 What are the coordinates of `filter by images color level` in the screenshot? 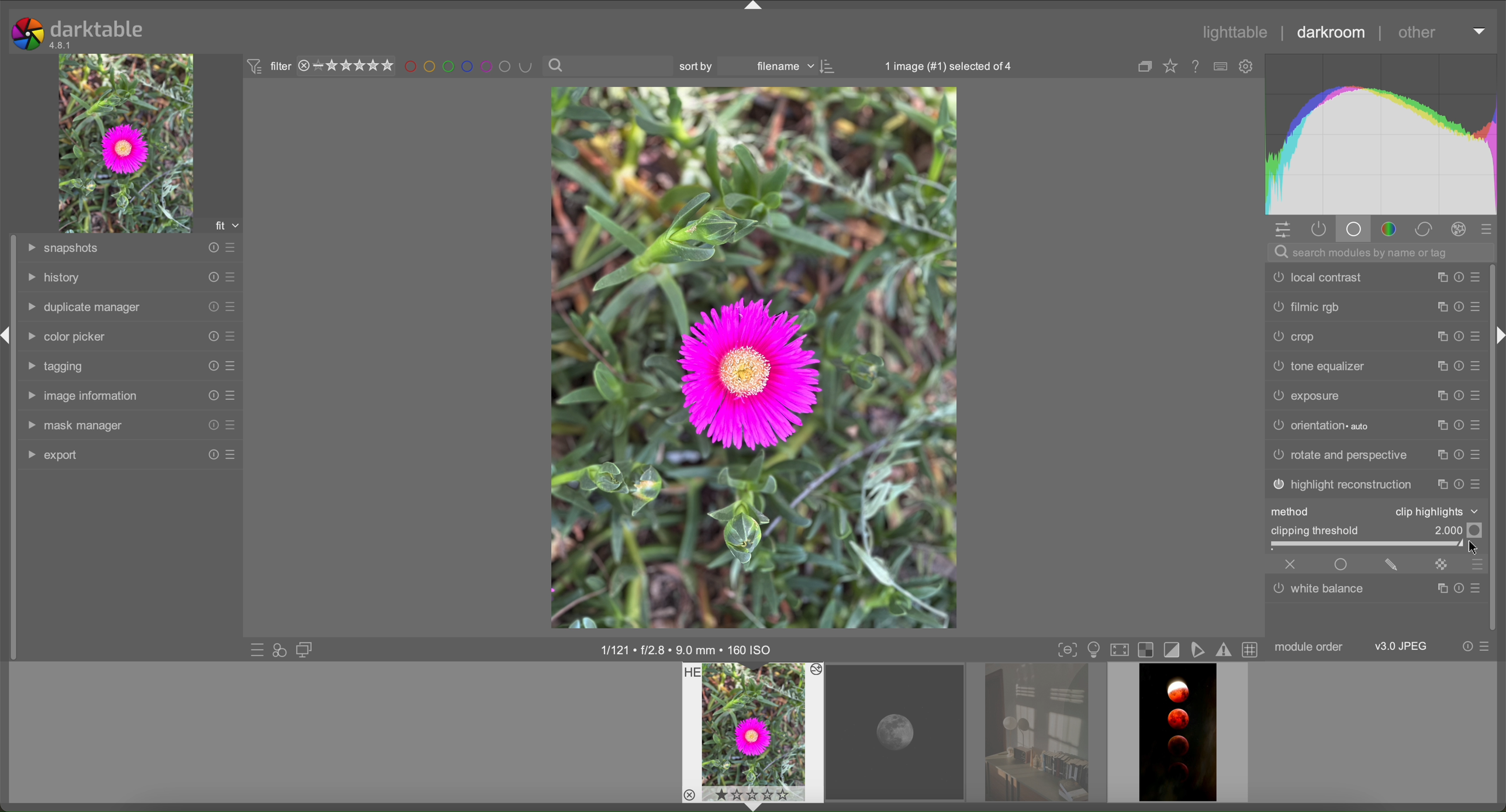 It's located at (469, 67).